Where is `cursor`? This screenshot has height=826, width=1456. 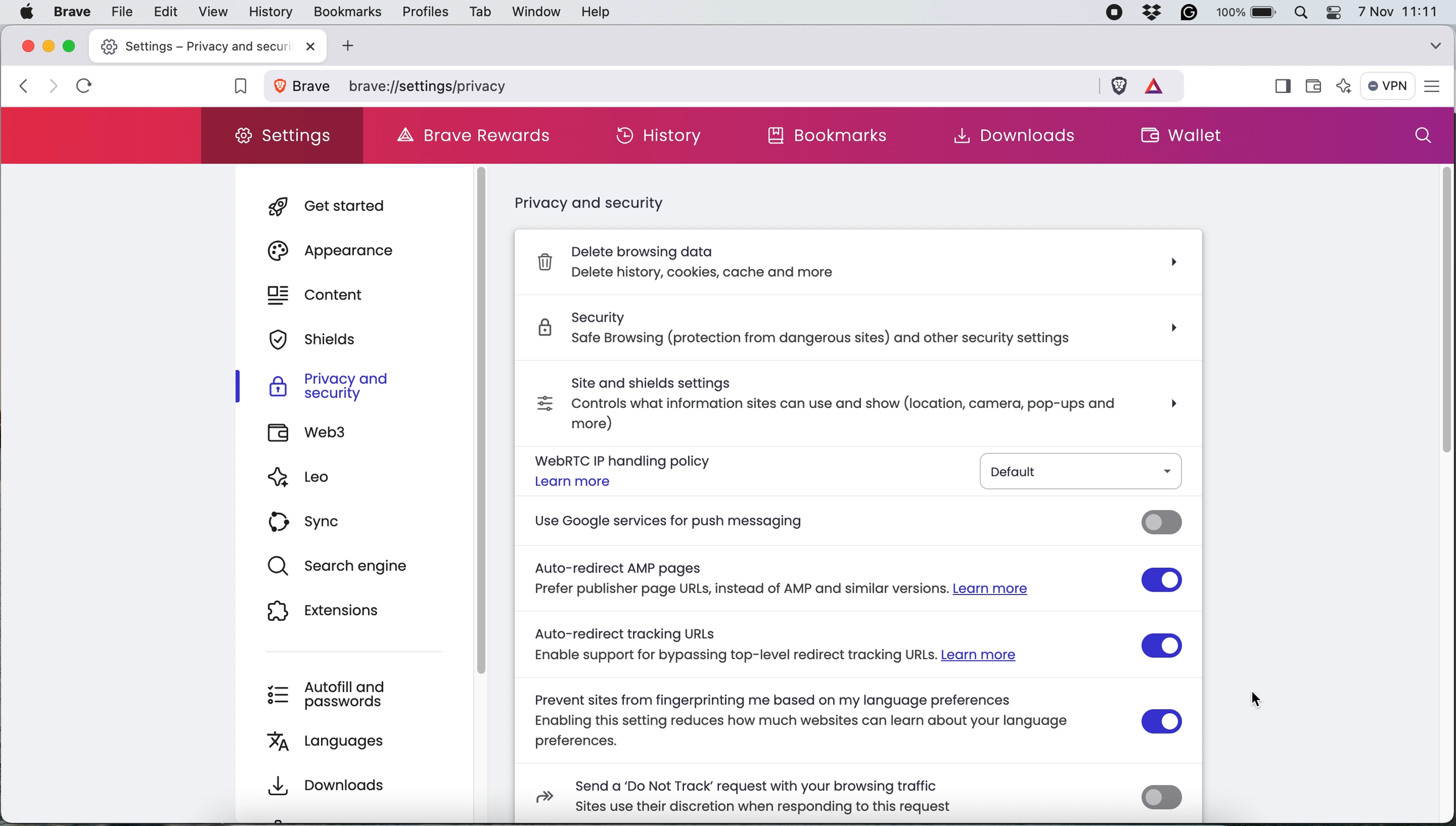
cursor is located at coordinates (1257, 699).